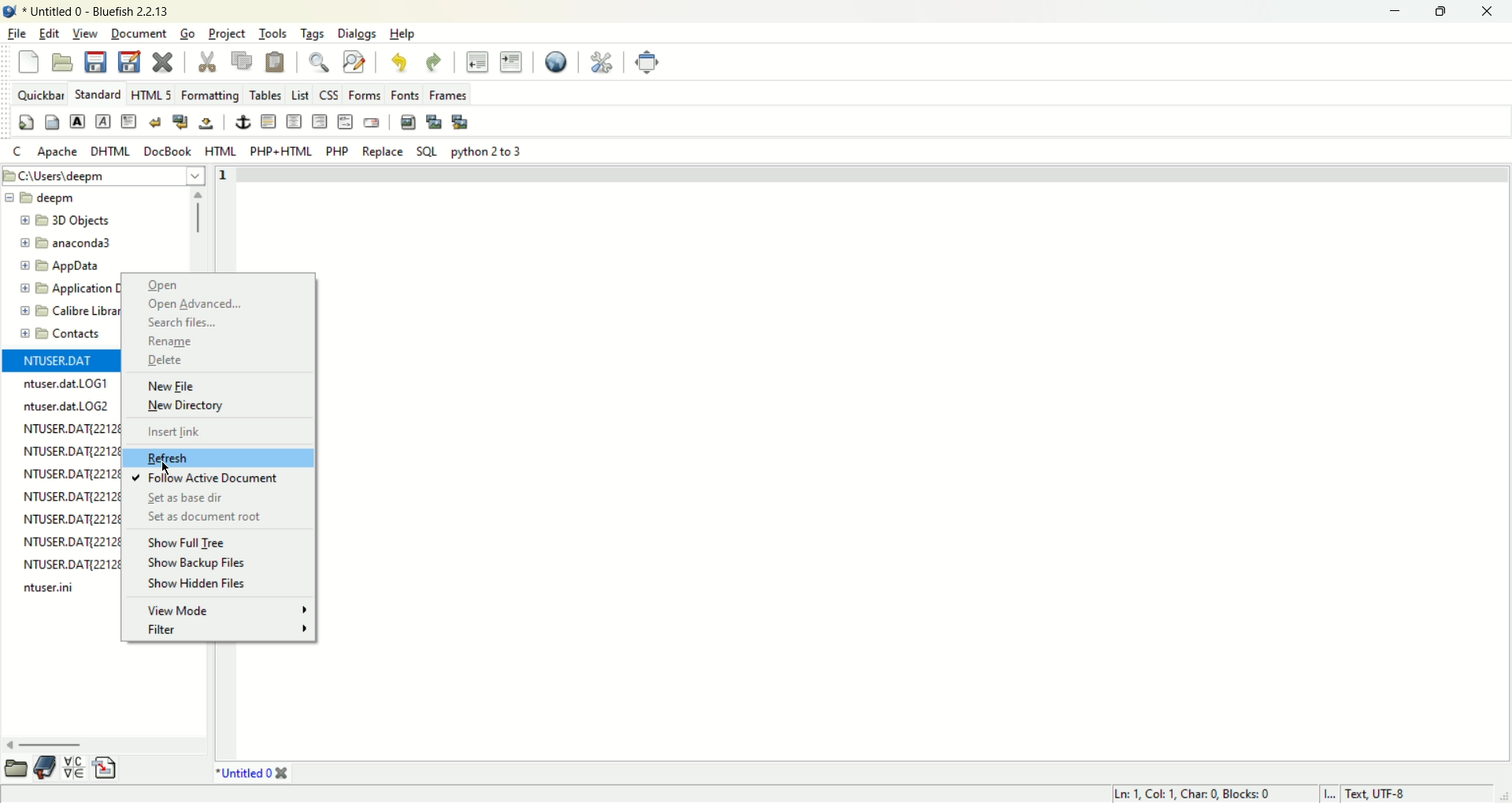 The width and height of the screenshot is (1512, 803). What do you see at coordinates (272, 35) in the screenshot?
I see `tools` at bounding box center [272, 35].